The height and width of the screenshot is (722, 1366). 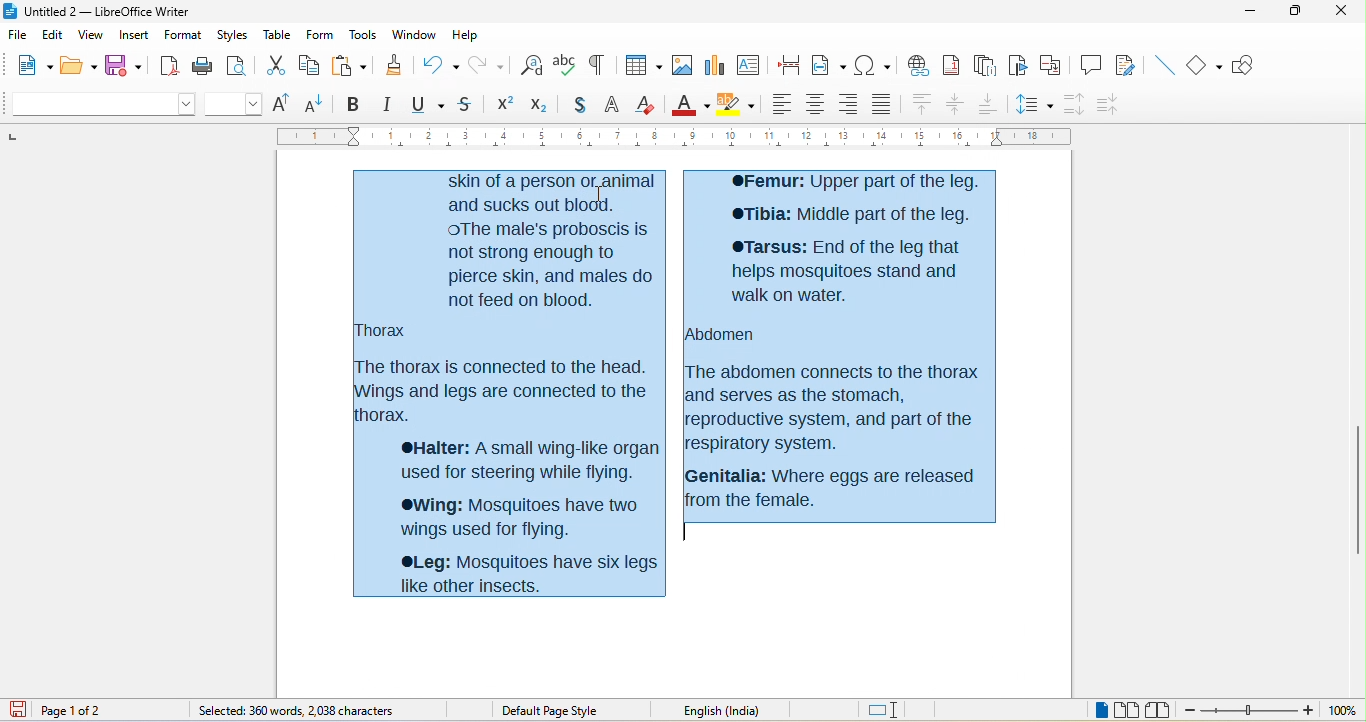 I want to click on justified, so click(x=881, y=105).